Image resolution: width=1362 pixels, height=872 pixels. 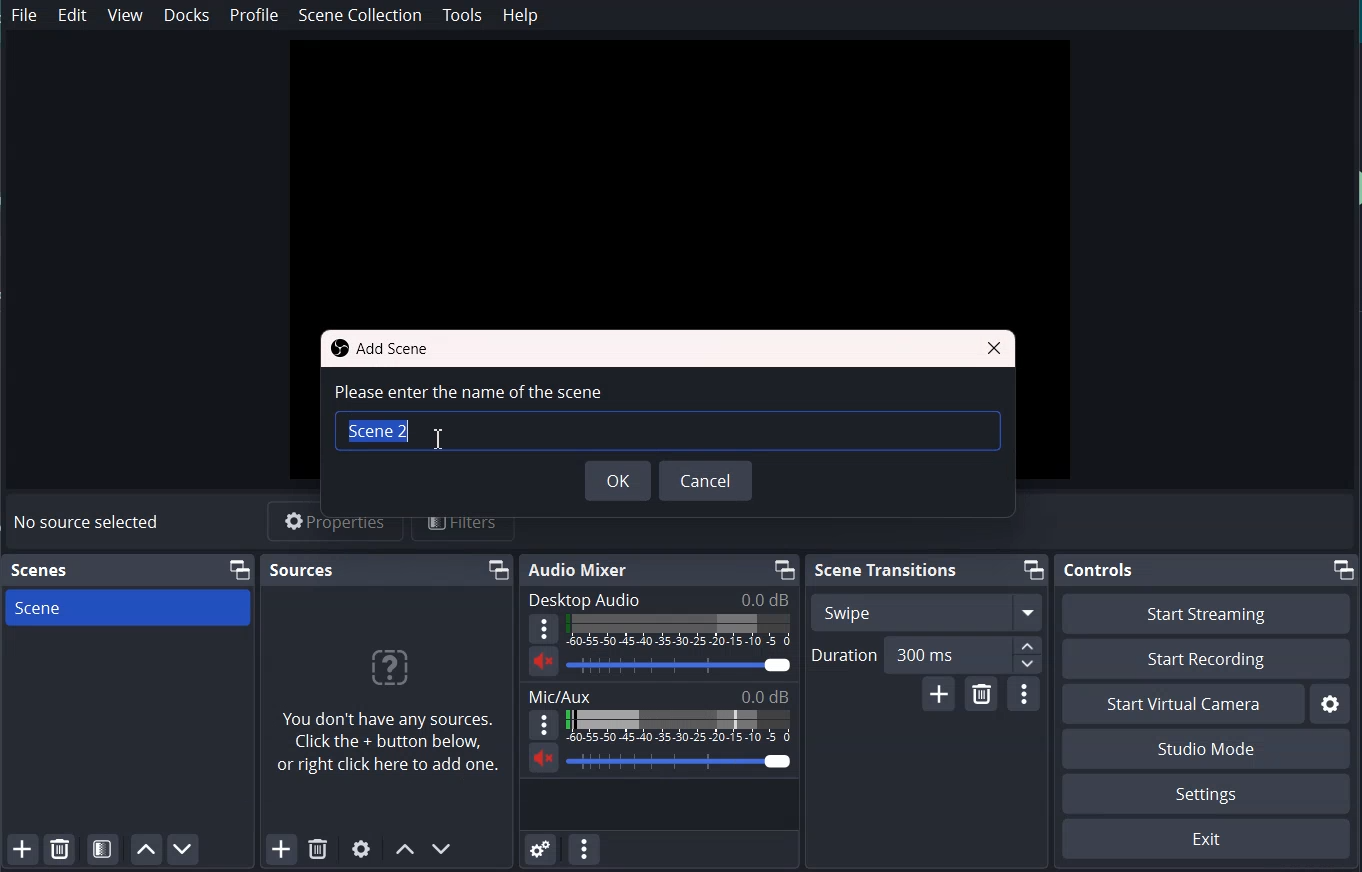 What do you see at coordinates (938, 693) in the screenshot?
I see `Add configurable Transition` at bounding box center [938, 693].